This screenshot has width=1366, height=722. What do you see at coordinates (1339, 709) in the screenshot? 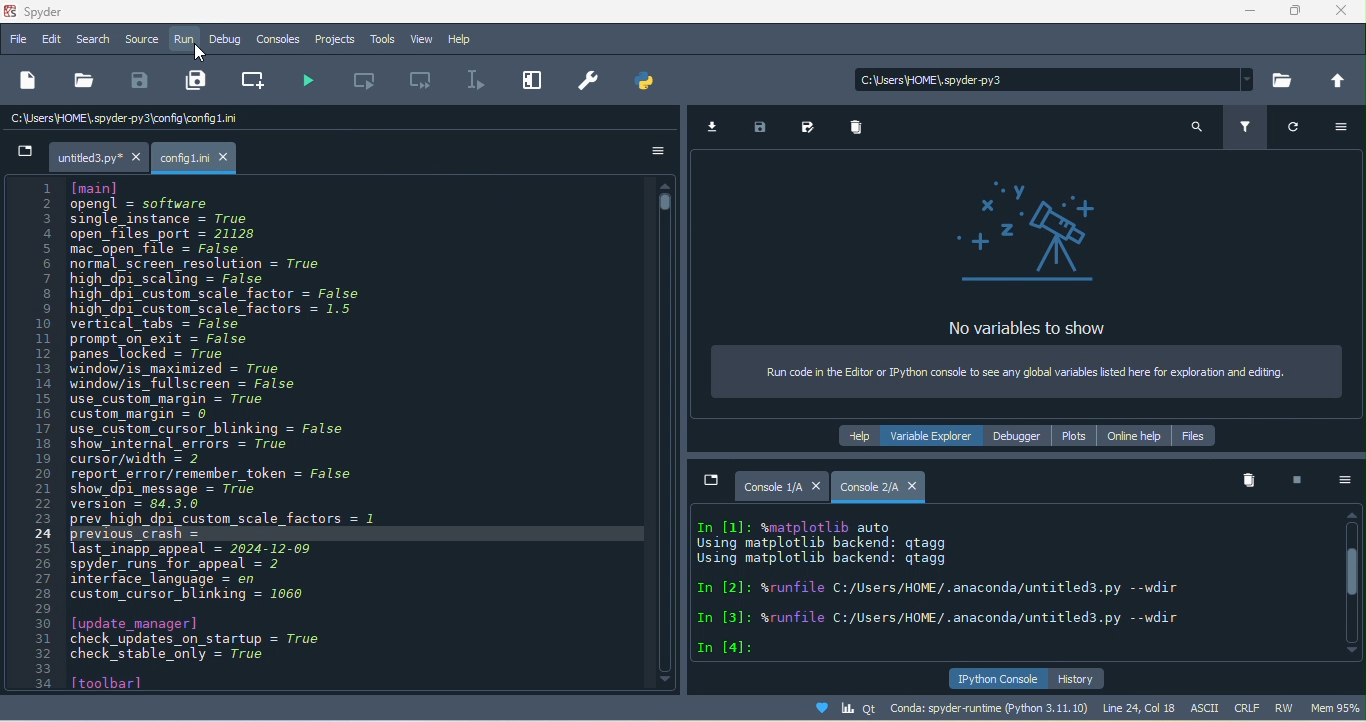
I see `mem 95%` at bounding box center [1339, 709].